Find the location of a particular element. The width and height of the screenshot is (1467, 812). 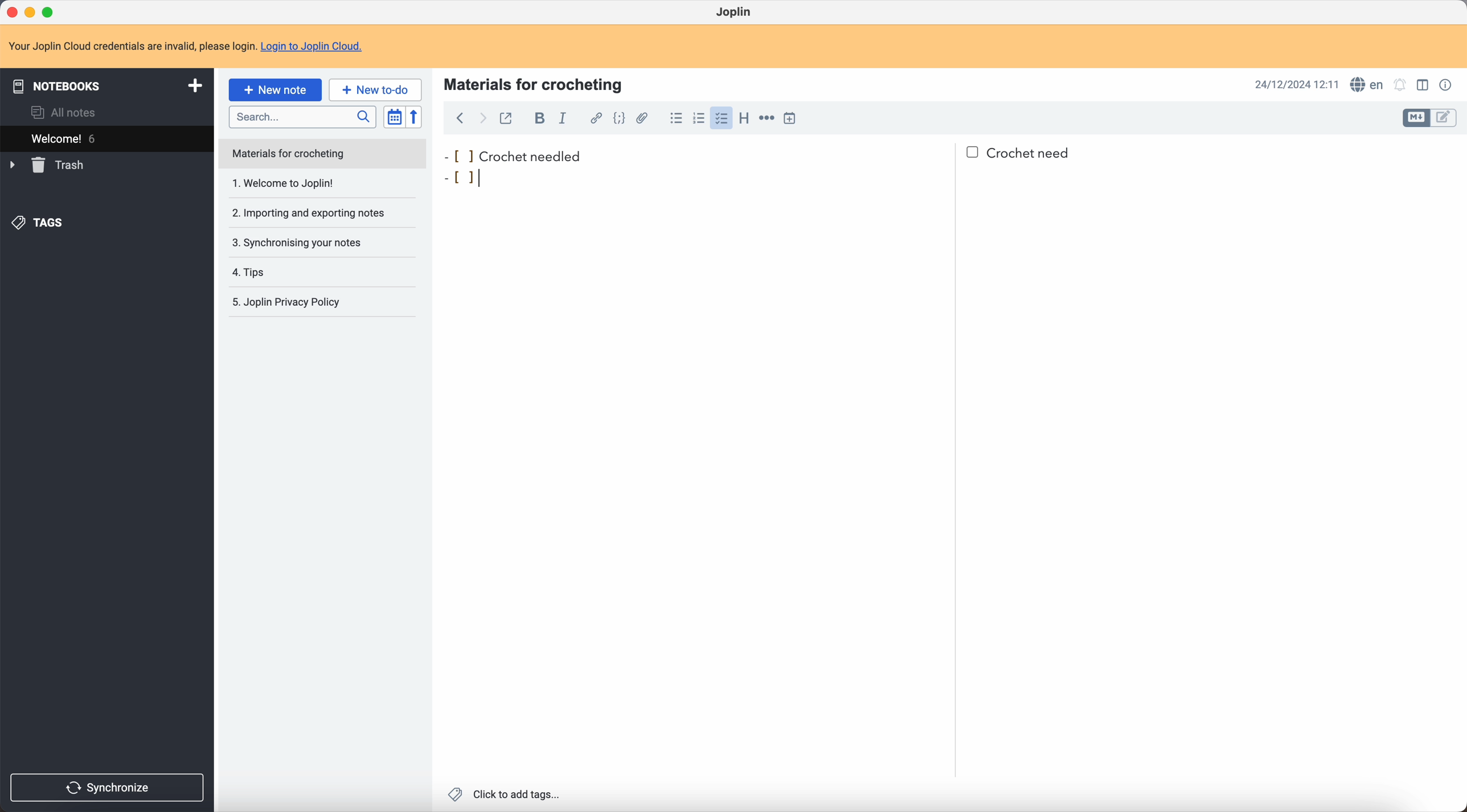

code is located at coordinates (621, 119).